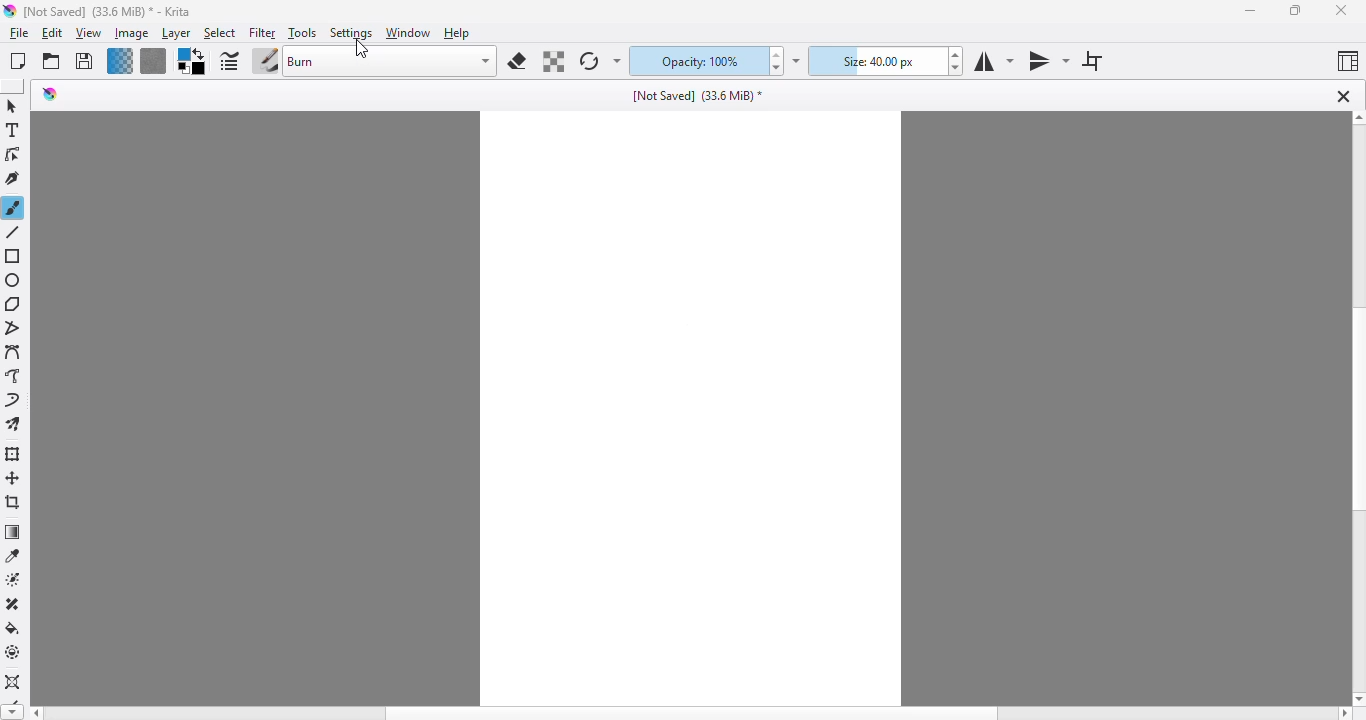  I want to click on title, so click(108, 11).